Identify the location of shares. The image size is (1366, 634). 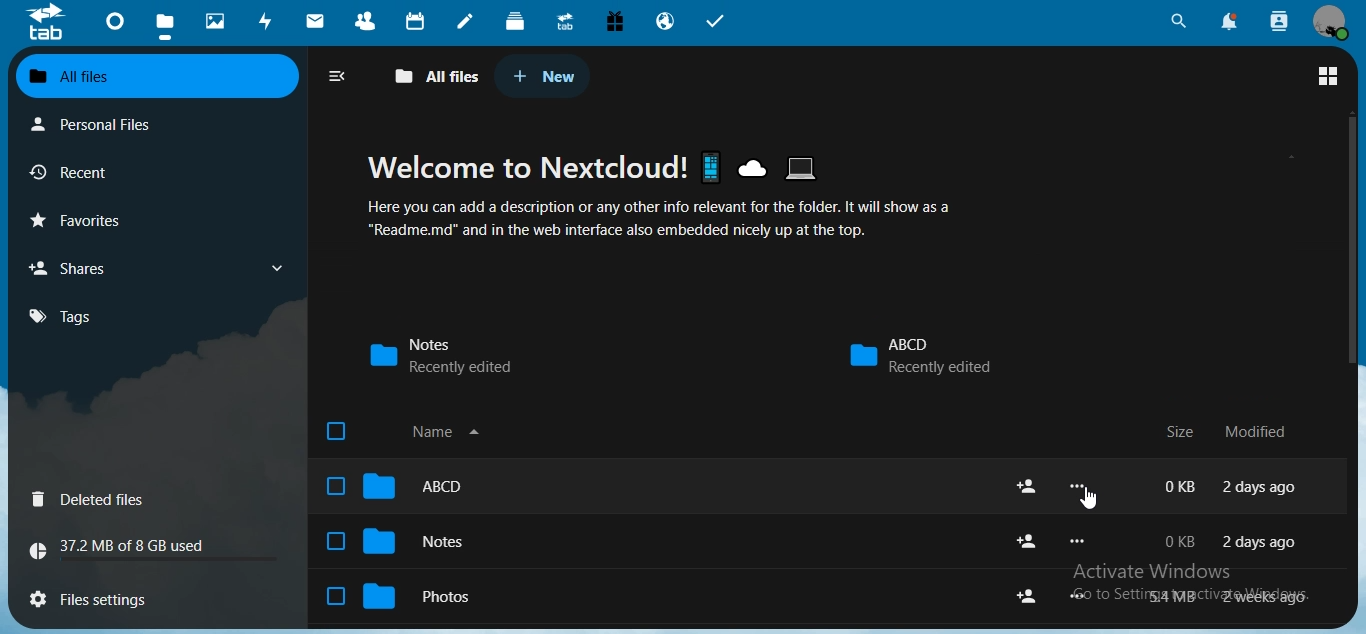
(74, 268).